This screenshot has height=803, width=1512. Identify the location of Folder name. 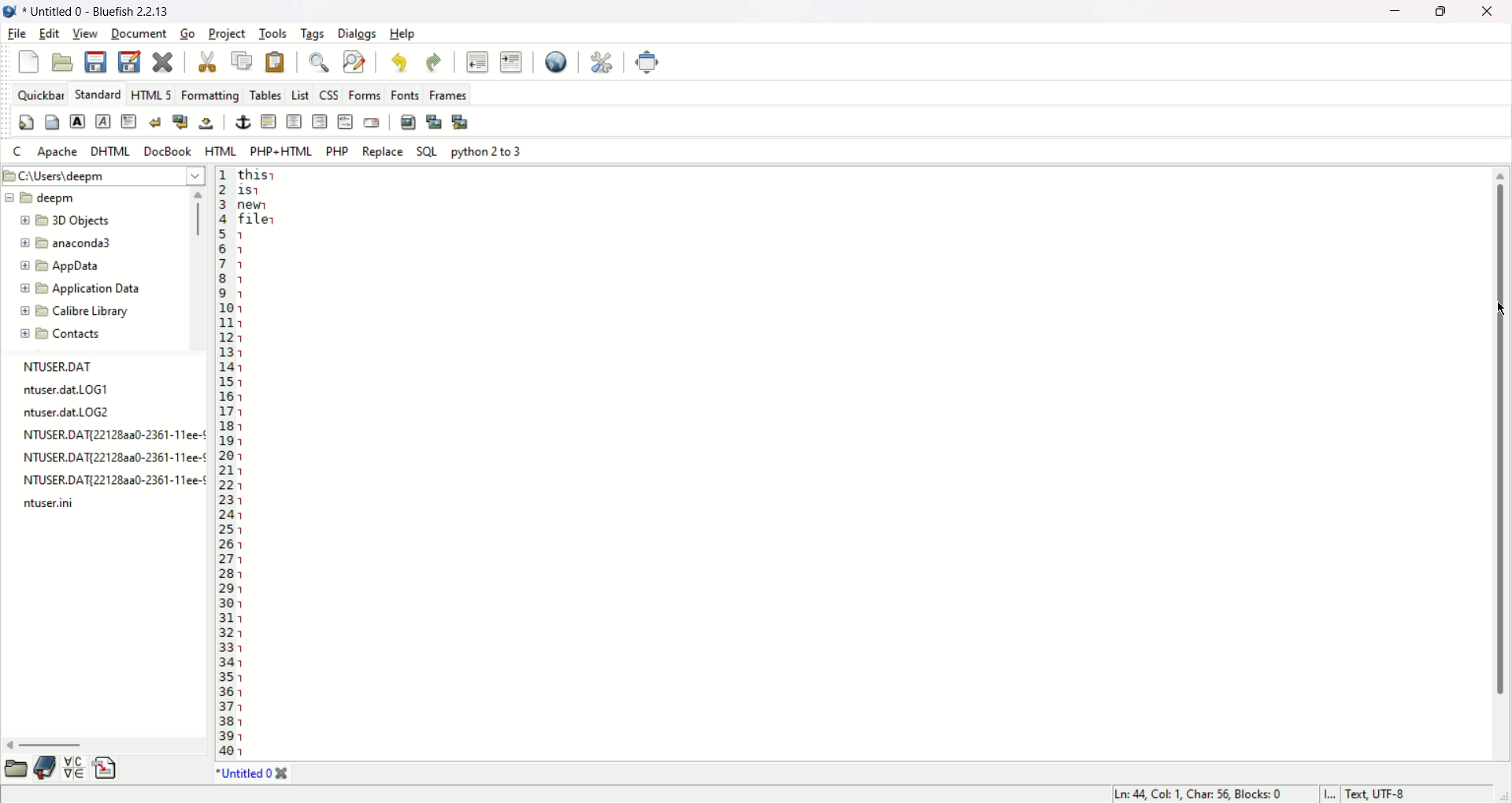
(79, 312).